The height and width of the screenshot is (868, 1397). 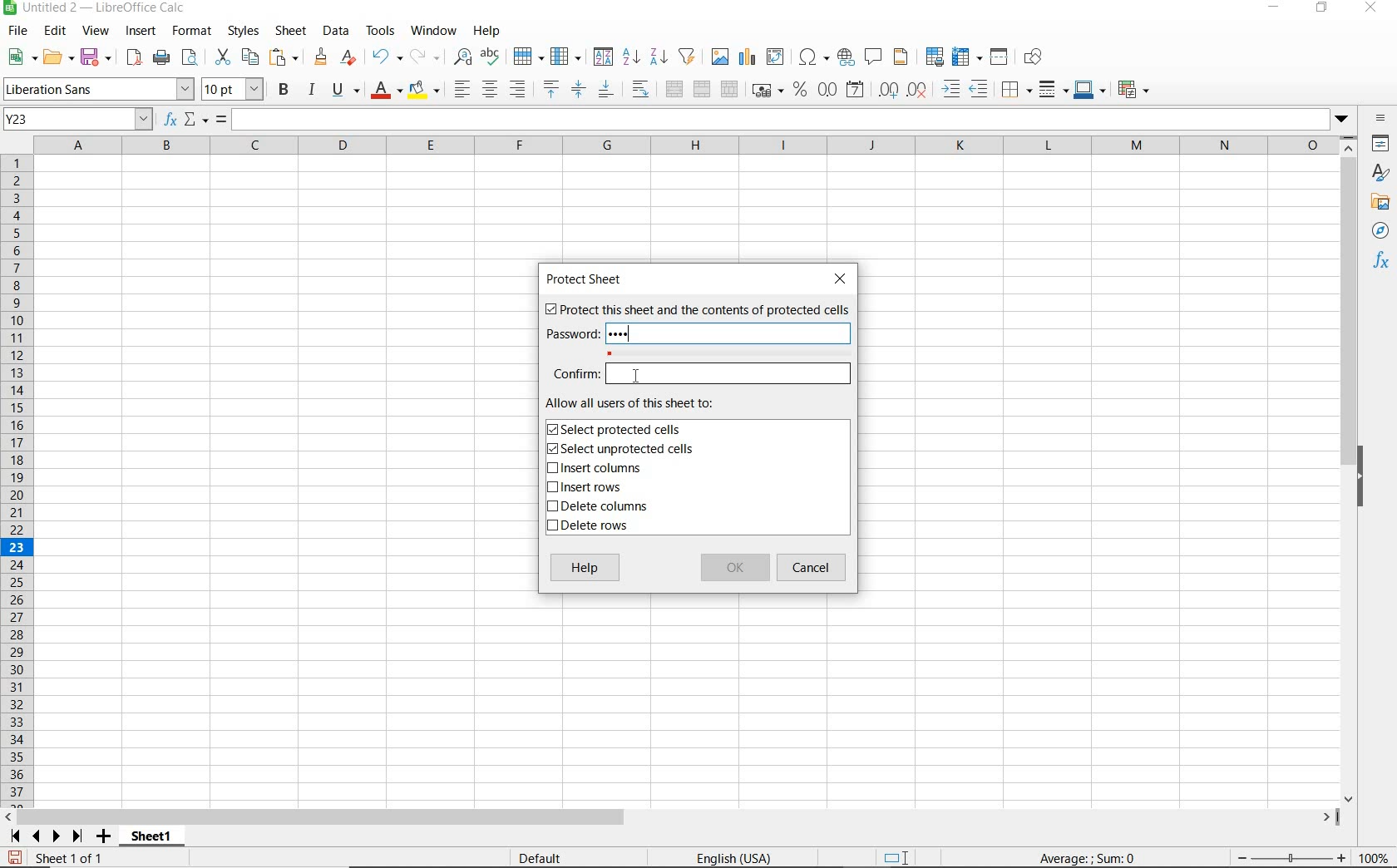 What do you see at coordinates (873, 56) in the screenshot?
I see `INSERT COMMENT` at bounding box center [873, 56].